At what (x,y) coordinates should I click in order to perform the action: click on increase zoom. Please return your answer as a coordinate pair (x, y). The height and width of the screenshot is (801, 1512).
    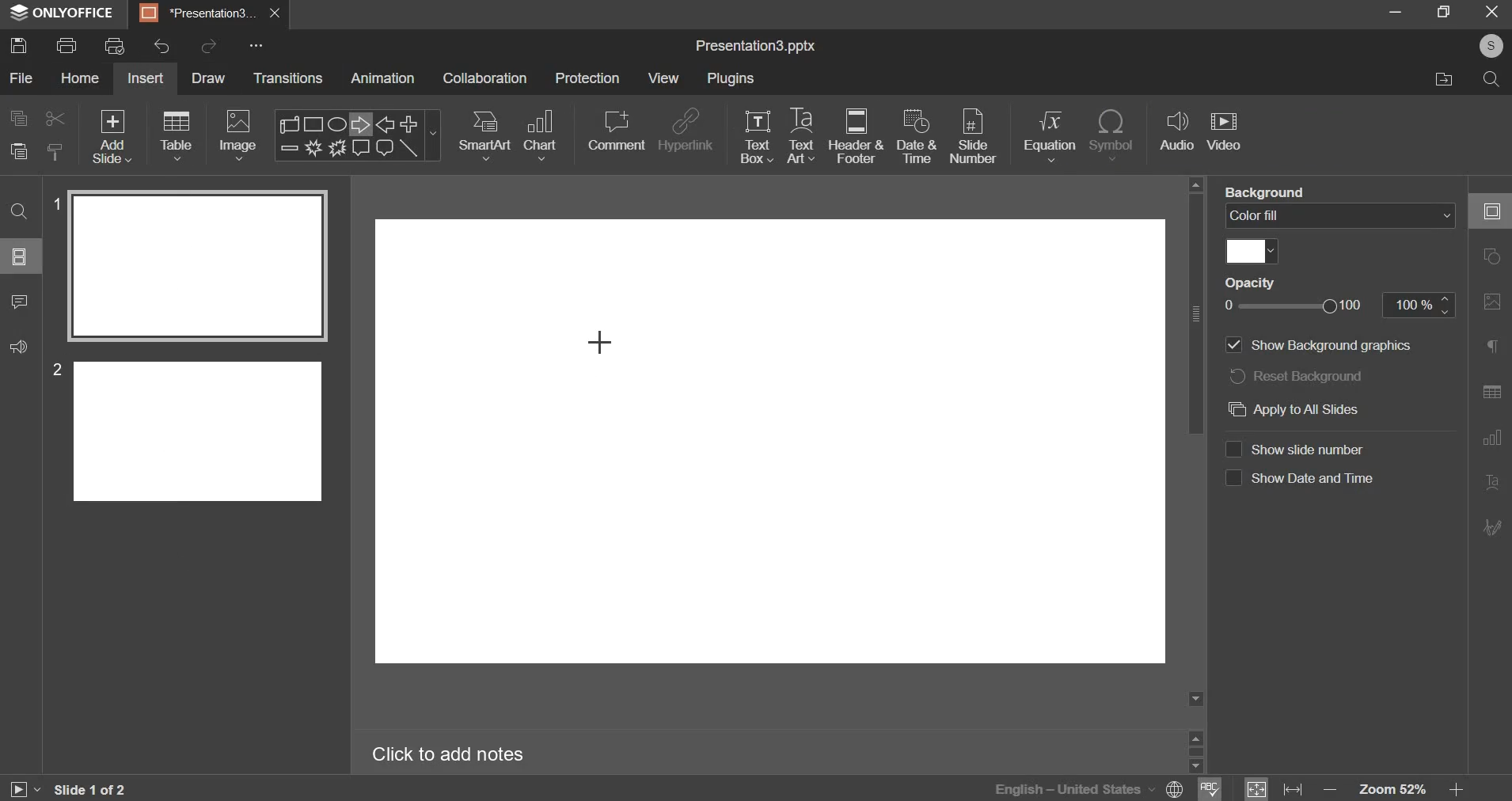
    Looking at the image, I should click on (1457, 790).